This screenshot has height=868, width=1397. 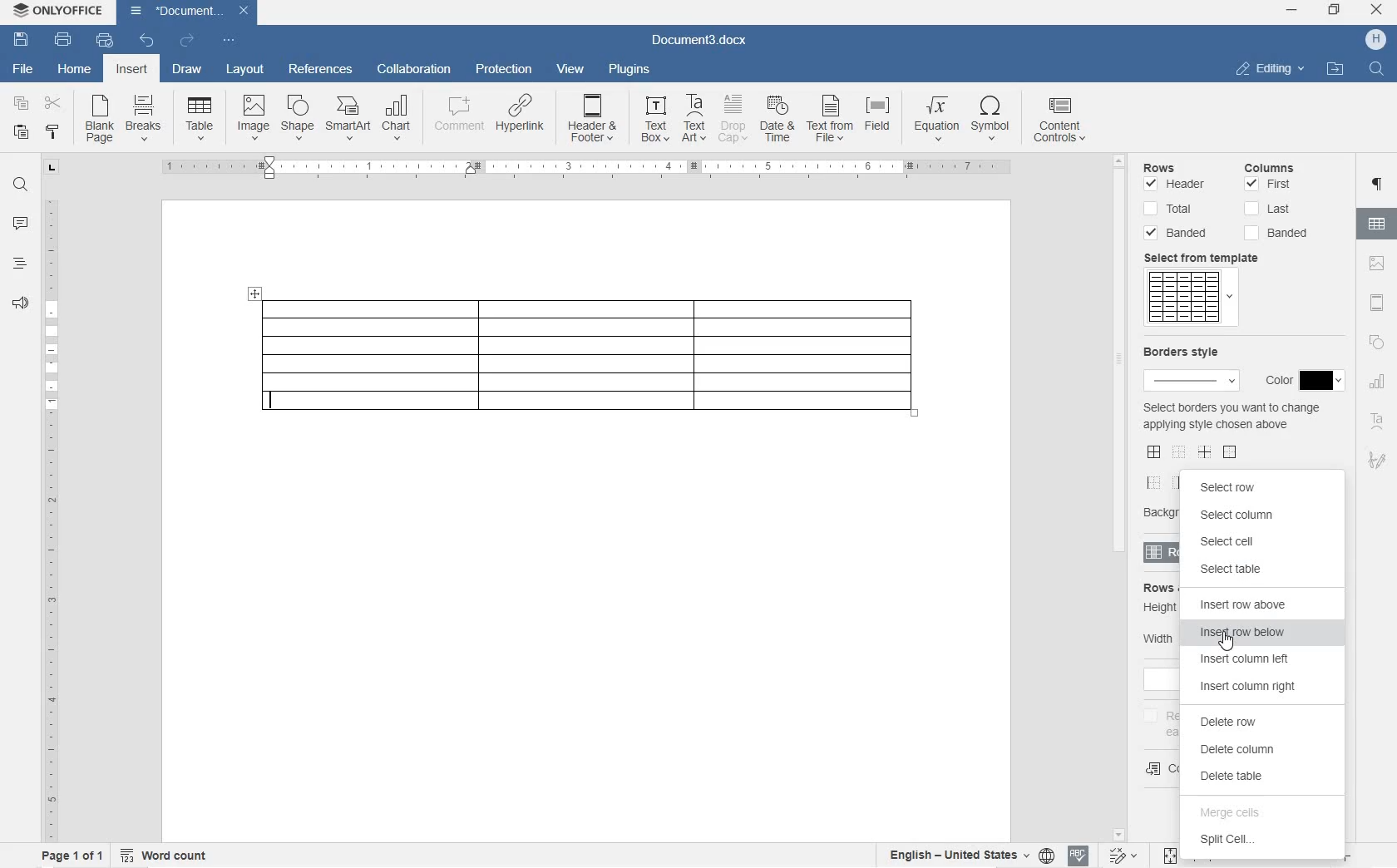 I want to click on rows & columns, so click(x=1163, y=553).